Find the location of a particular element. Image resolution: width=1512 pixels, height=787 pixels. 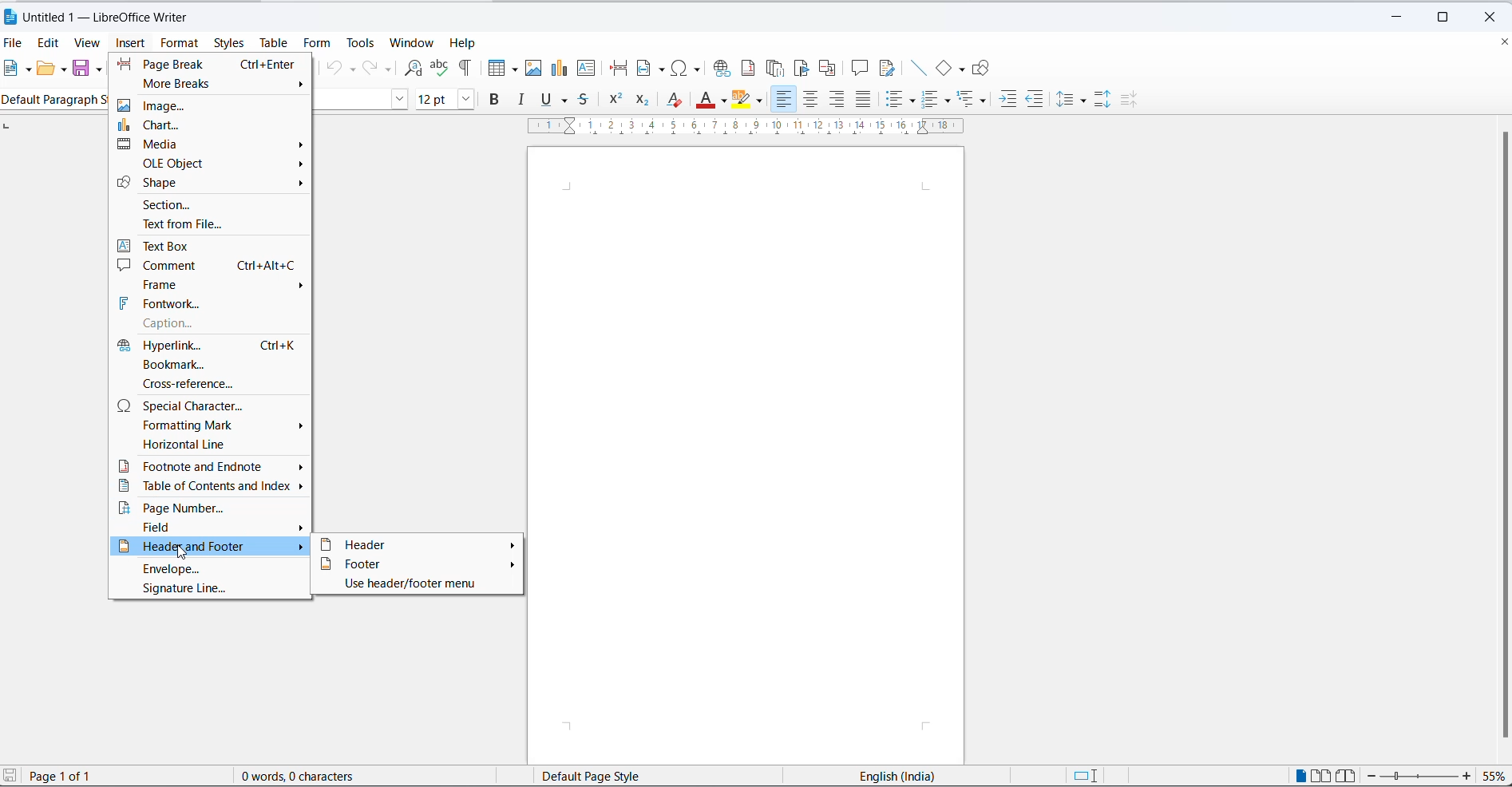

Default paragraph style is located at coordinates (59, 98).